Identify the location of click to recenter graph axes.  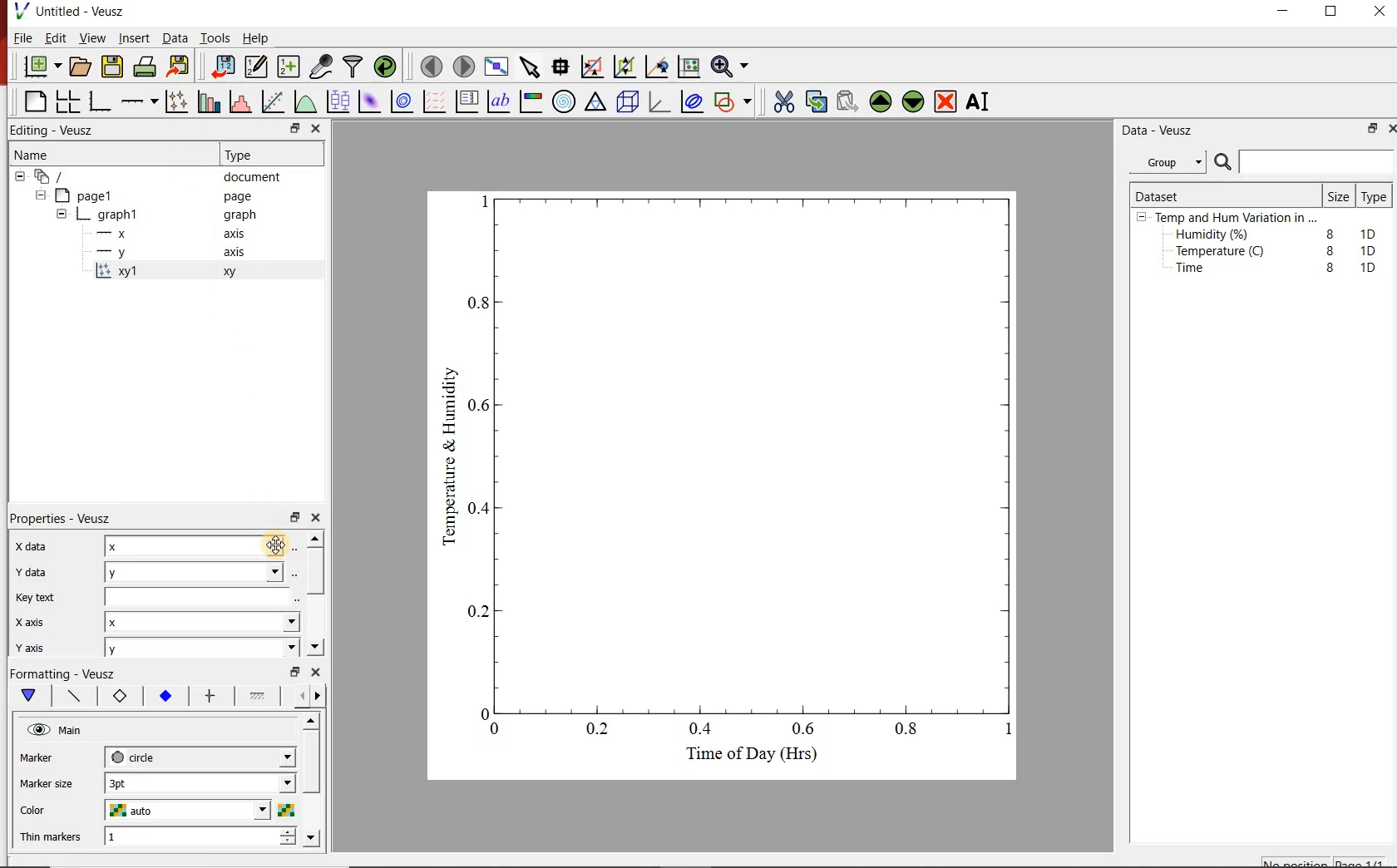
(657, 67).